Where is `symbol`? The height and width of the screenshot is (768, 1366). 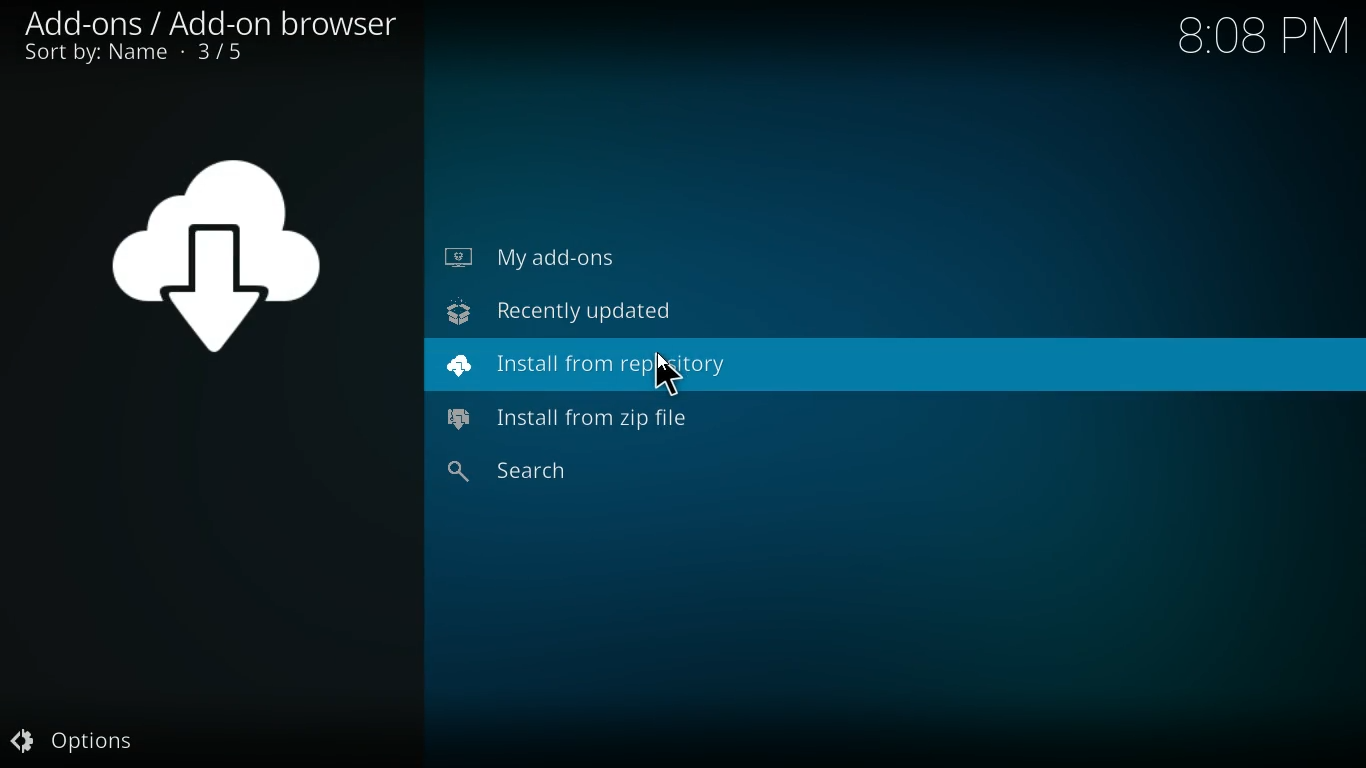 symbol is located at coordinates (218, 247).